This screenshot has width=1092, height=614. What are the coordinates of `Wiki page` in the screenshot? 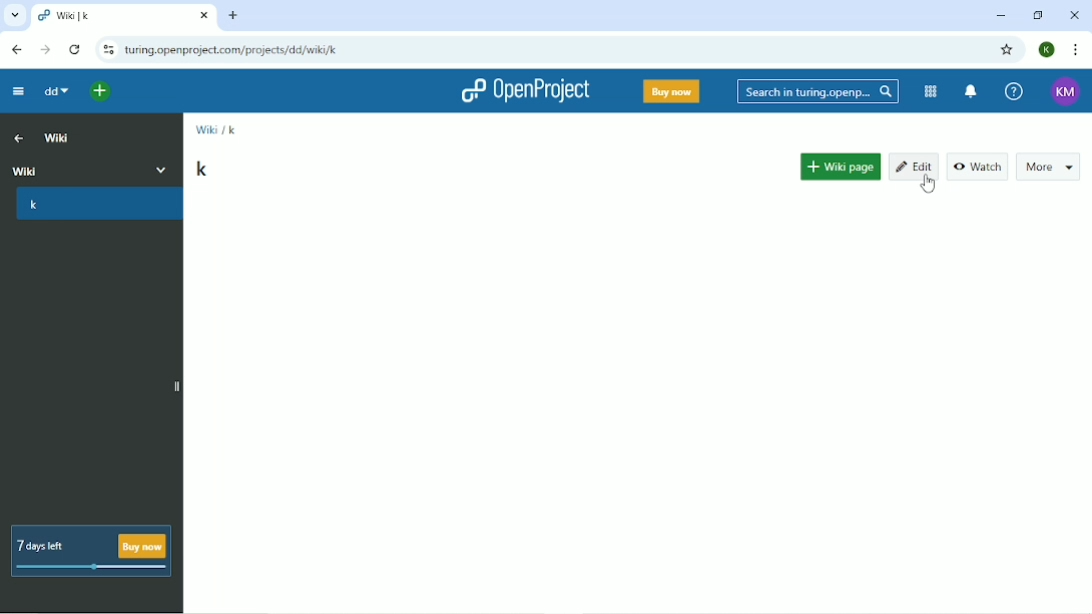 It's located at (836, 173).